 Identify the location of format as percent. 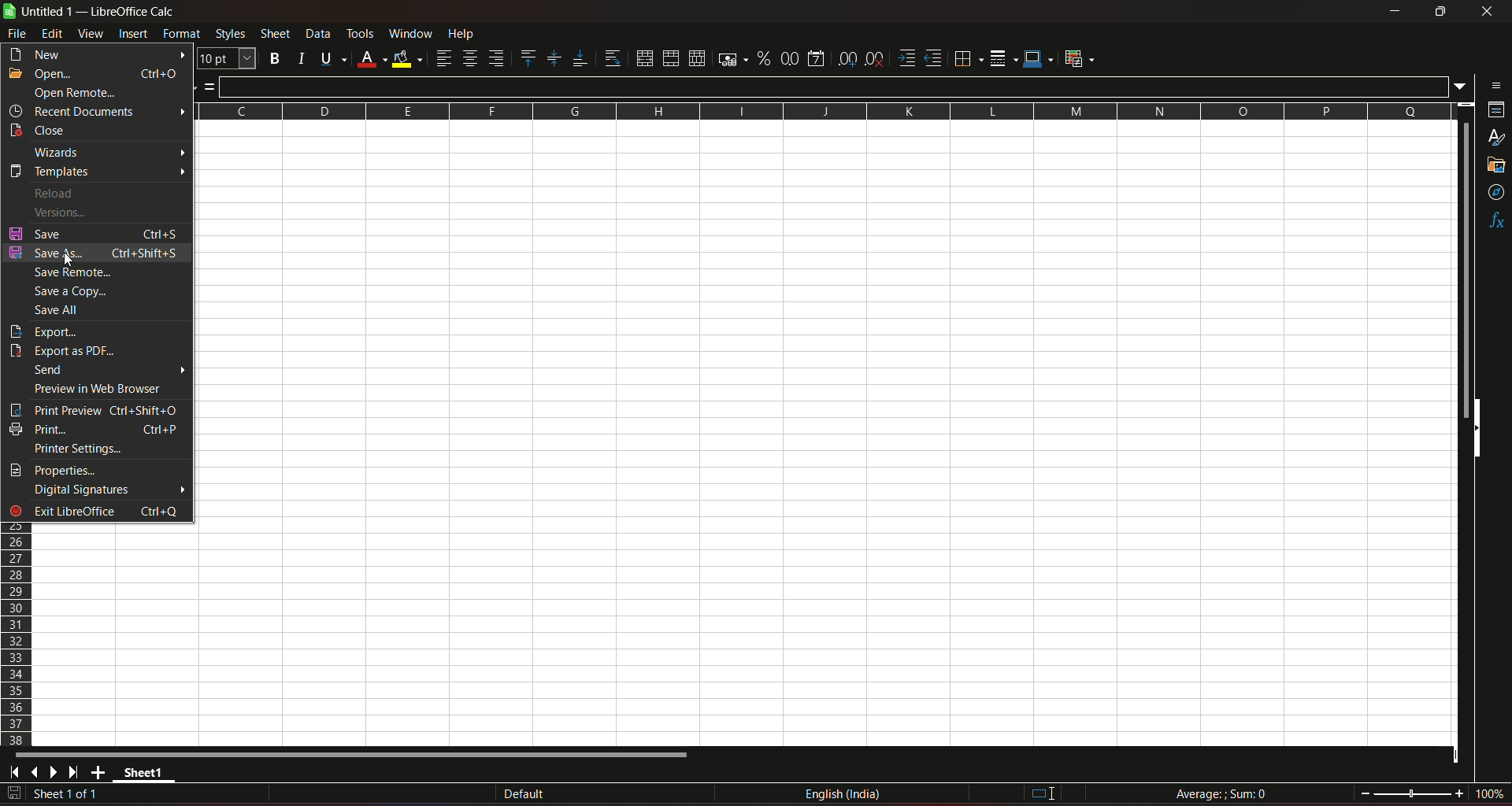
(762, 59).